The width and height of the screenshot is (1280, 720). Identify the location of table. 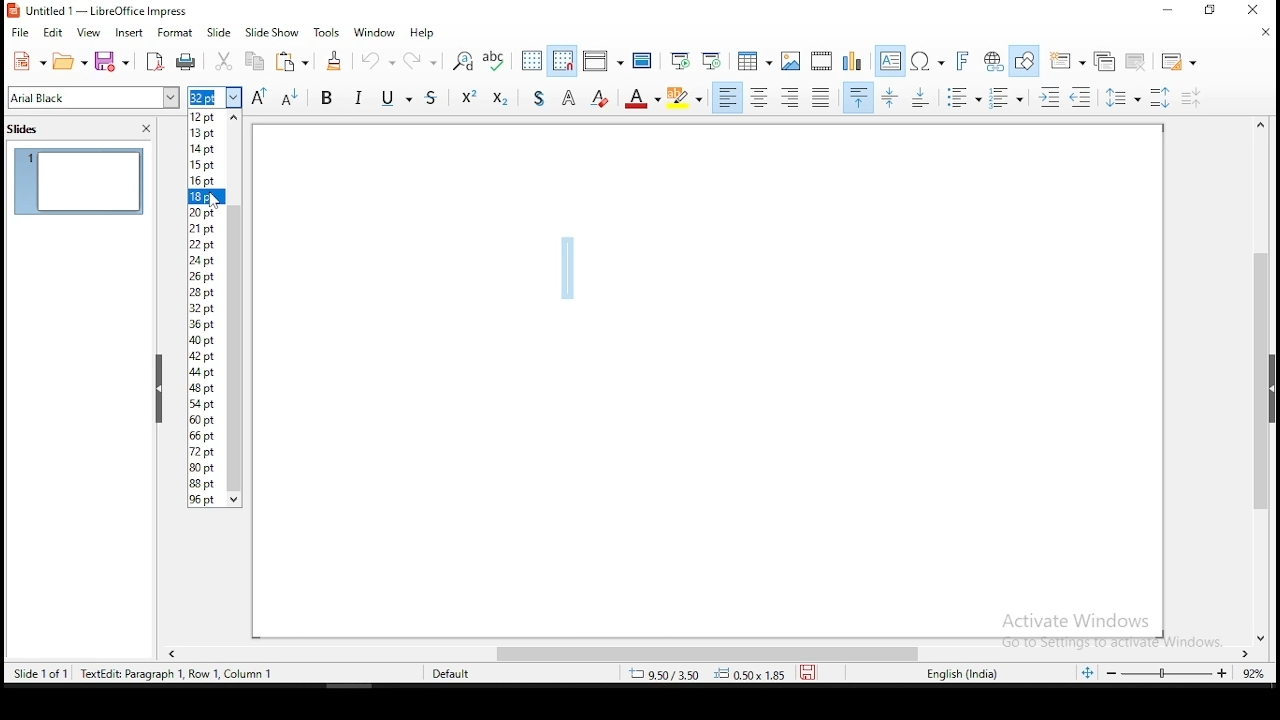
(755, 58).